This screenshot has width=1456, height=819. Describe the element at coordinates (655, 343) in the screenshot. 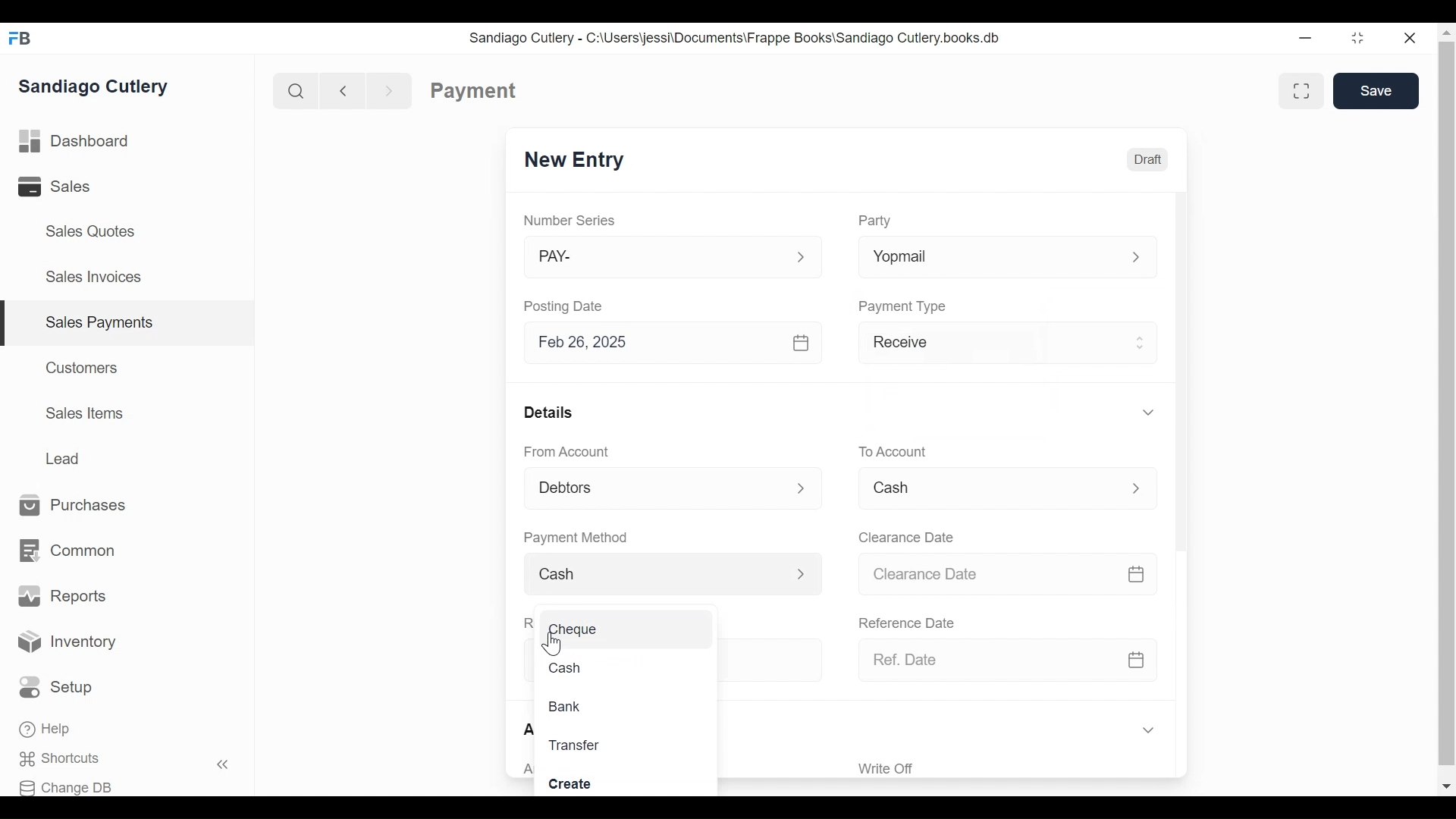

I see `Feb 26, 2025 ` at that location.